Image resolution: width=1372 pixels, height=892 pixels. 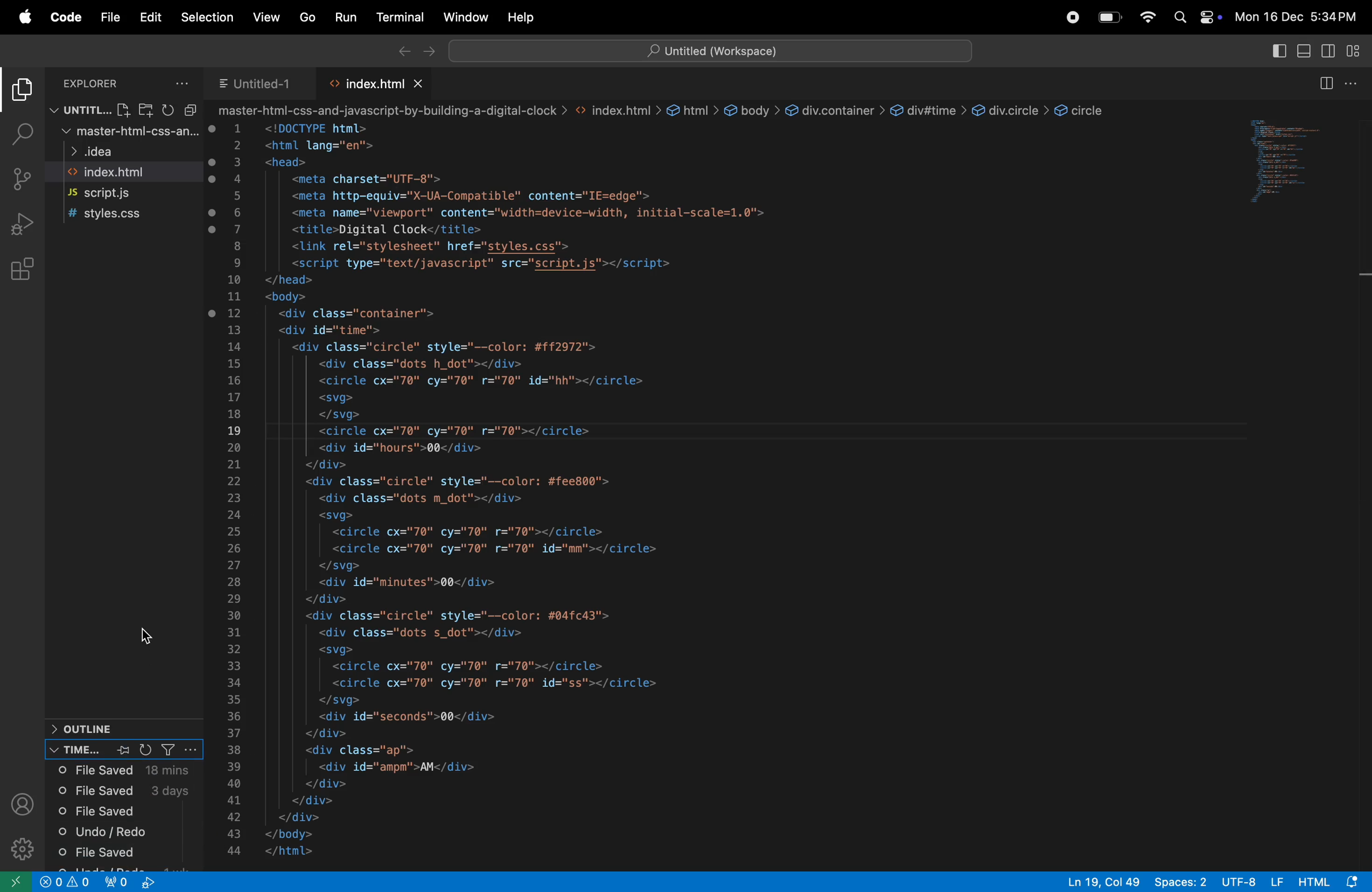 What do you see at coordinates (325, 784) in the screenshot?
I see `</div>` at bounding box center [325, 784].